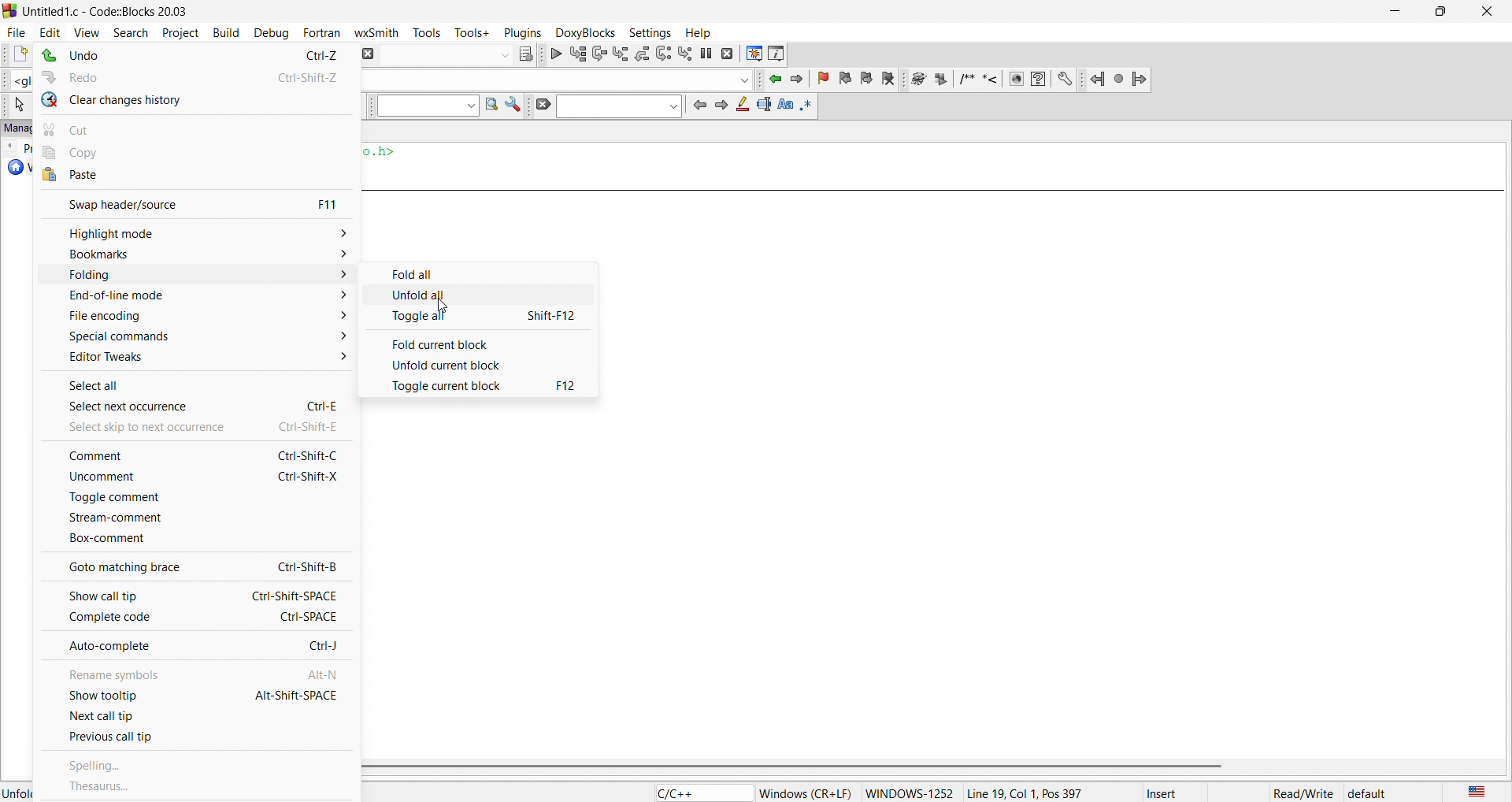 The height and width of the screenshot is (802, 1512). What do you see at coordinates (177, 31) in the screenshot?
I see `project` at bounding box center [177, 31].